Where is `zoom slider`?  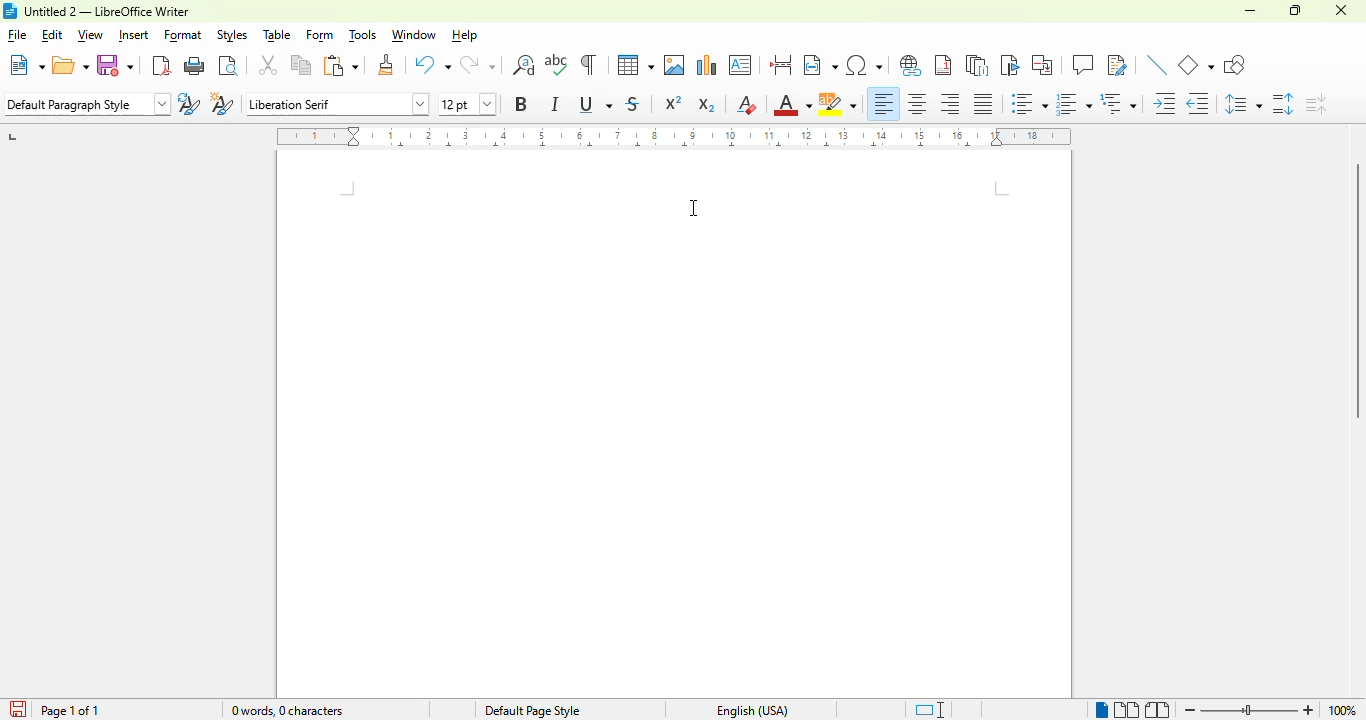 zoom slider is located at coordinates (1251, 709).